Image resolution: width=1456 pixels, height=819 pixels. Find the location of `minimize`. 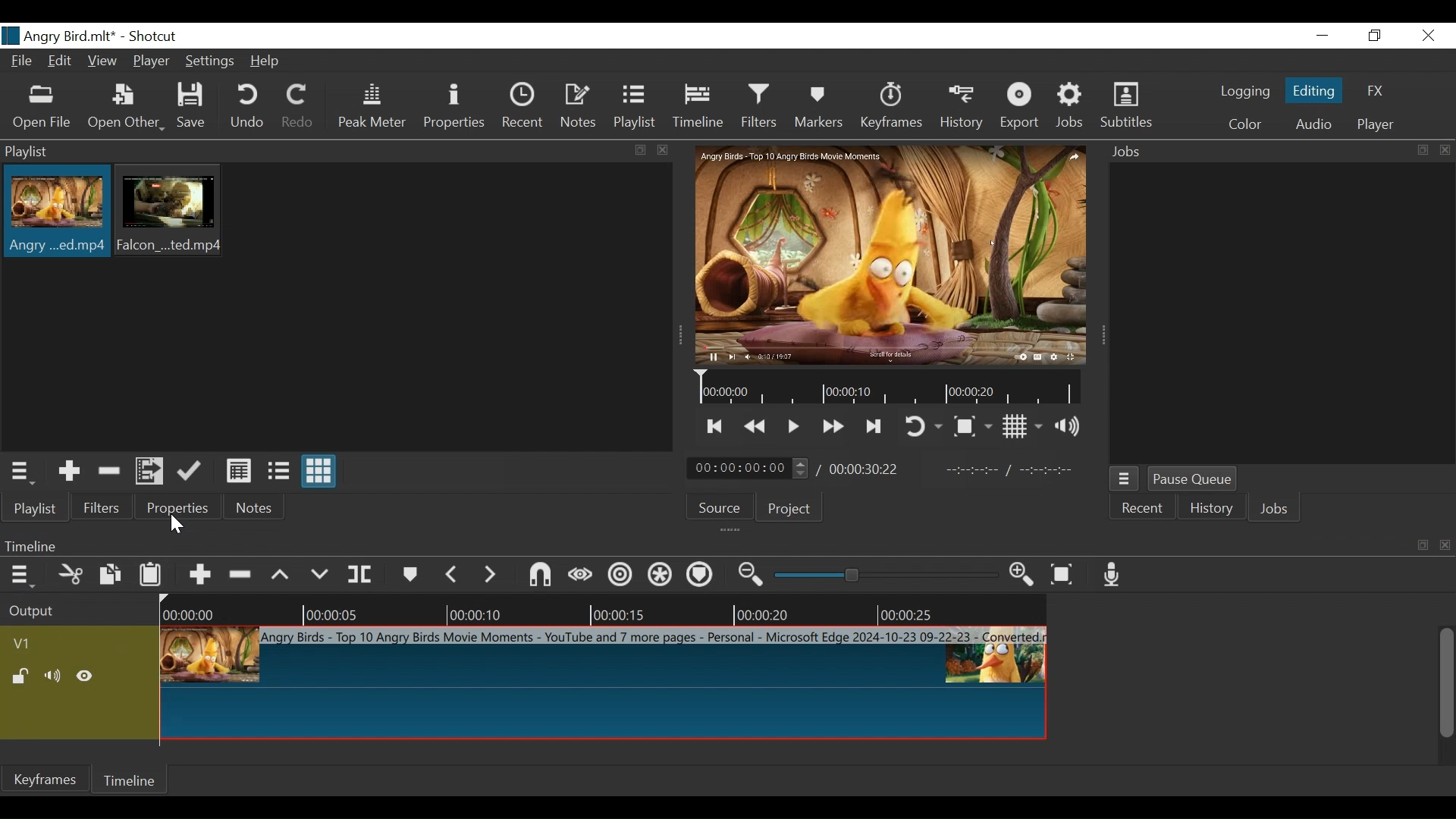

minimize is located at coordinates (1325, 35).